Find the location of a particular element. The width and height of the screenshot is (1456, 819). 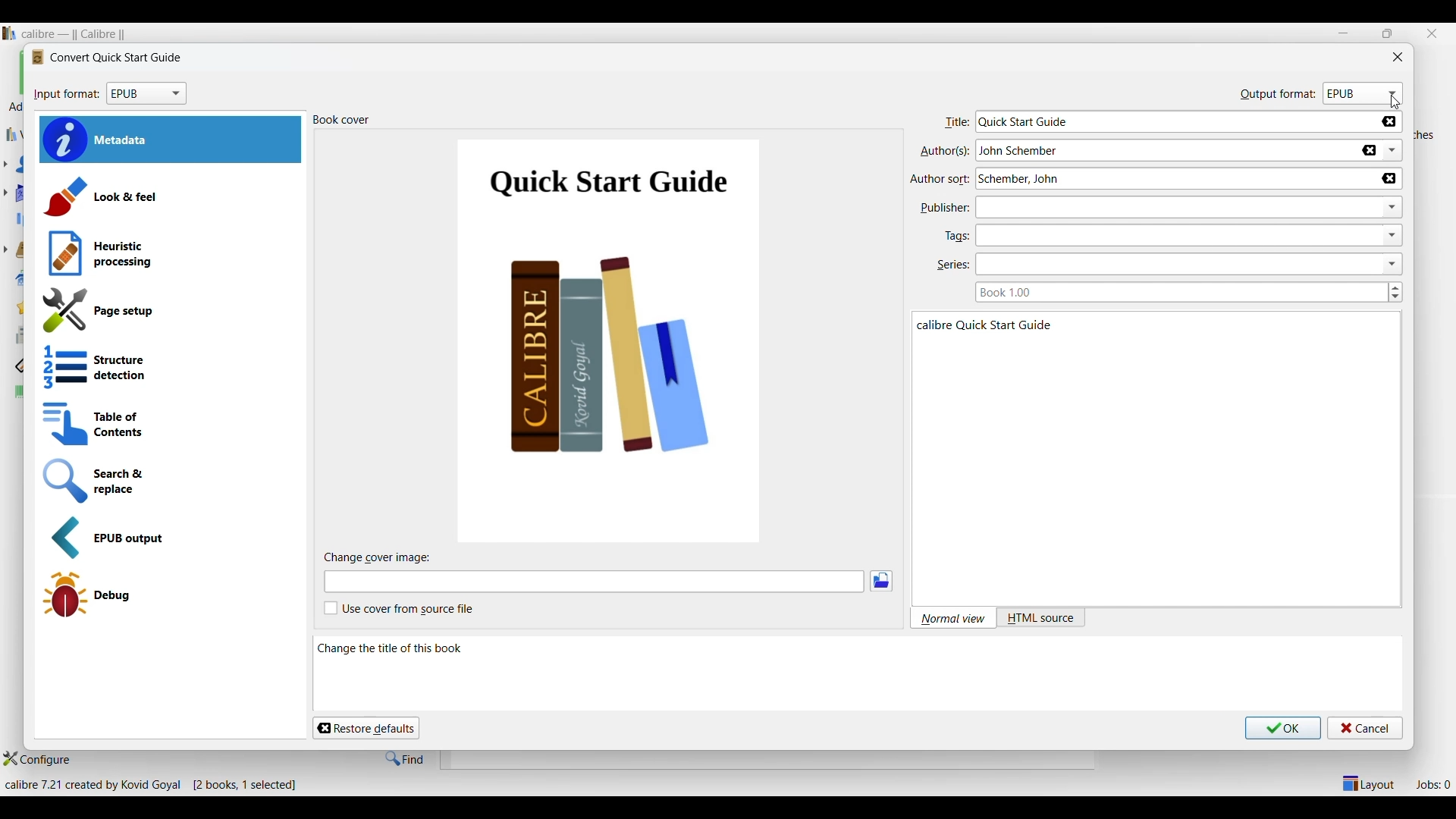

Type in author is located at coordinates (1167, 150).